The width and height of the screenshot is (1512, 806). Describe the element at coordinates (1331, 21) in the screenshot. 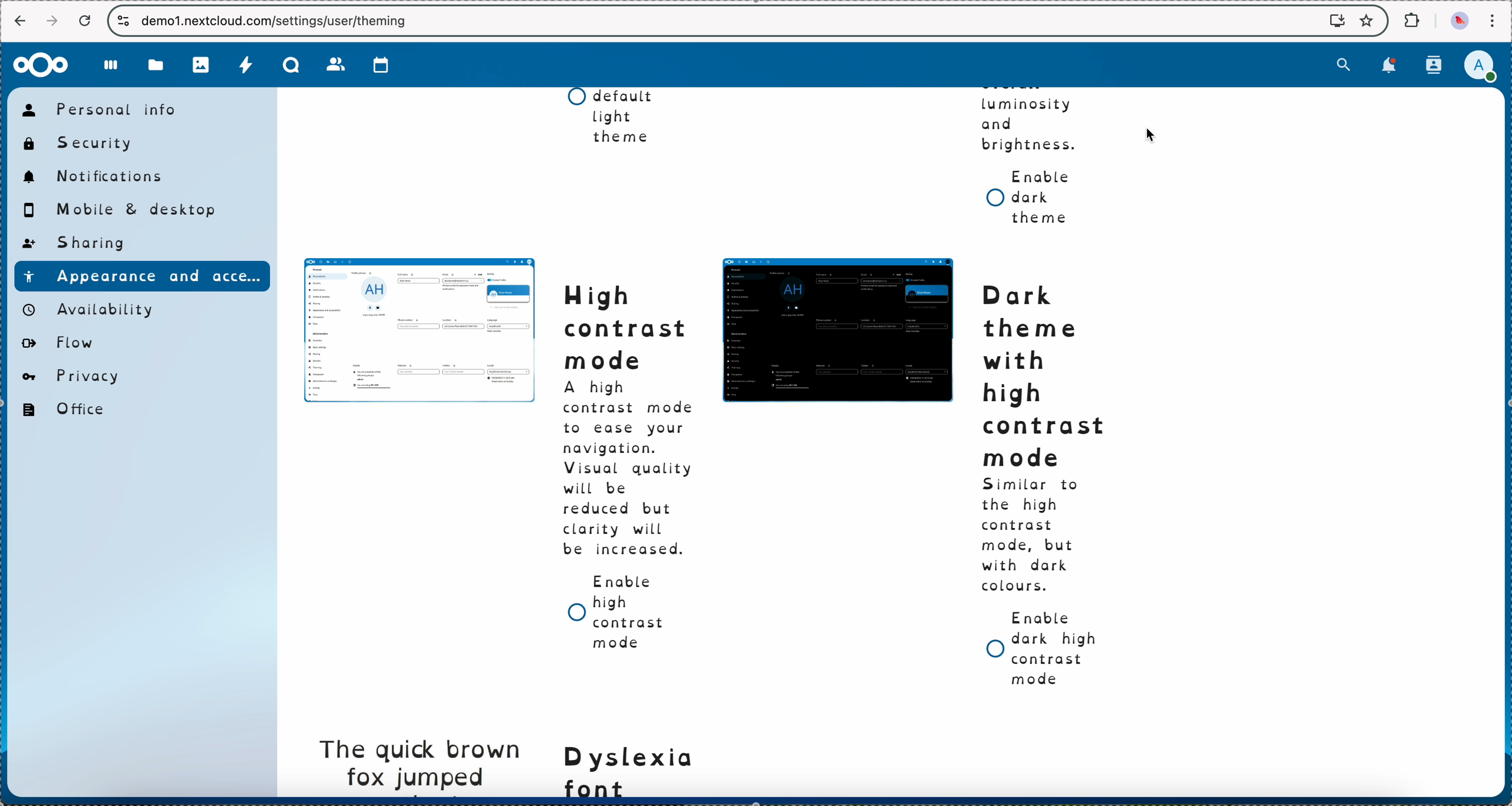

I see `screen` at that location.